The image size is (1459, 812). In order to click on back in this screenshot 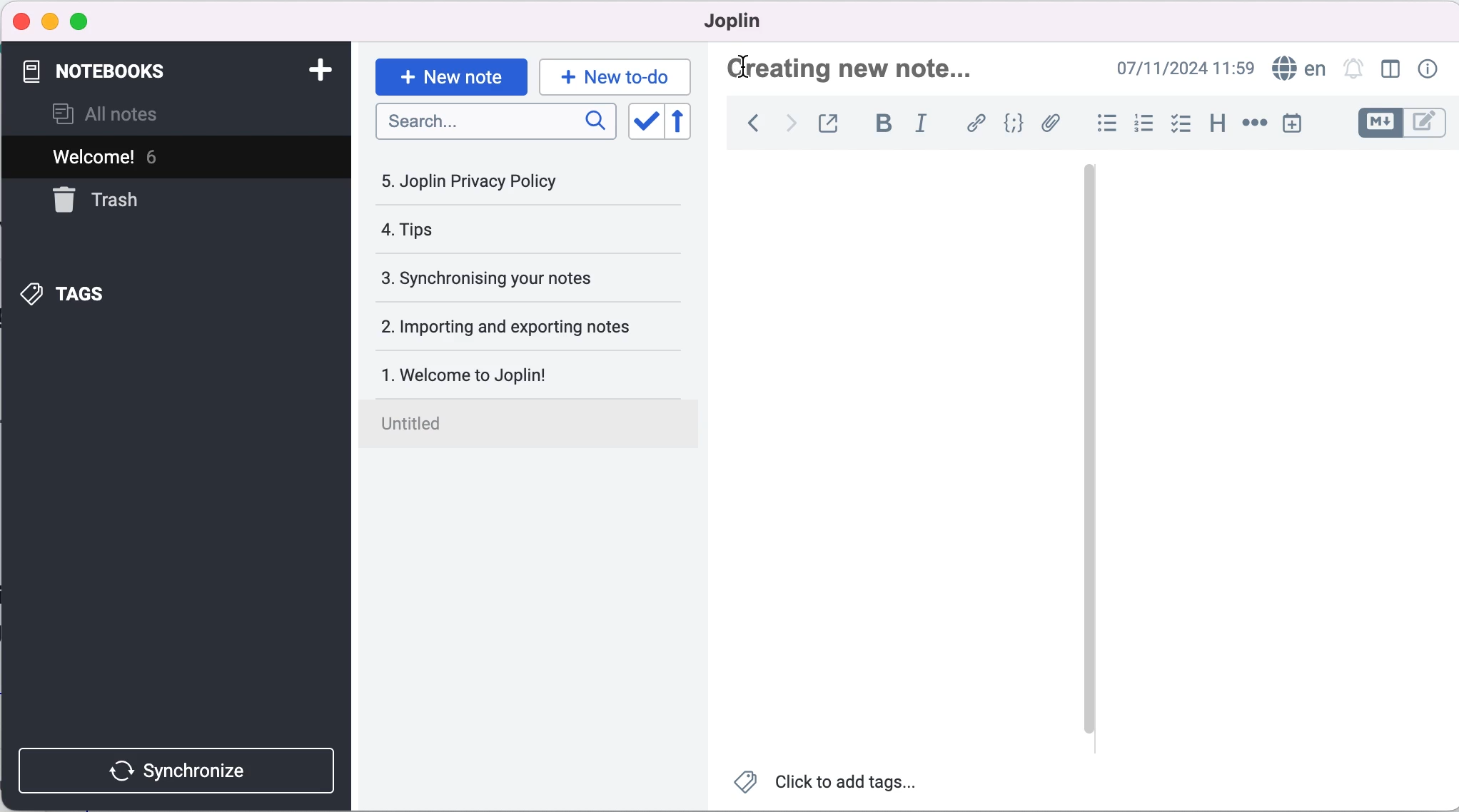, I will do `click(749, 126)`.